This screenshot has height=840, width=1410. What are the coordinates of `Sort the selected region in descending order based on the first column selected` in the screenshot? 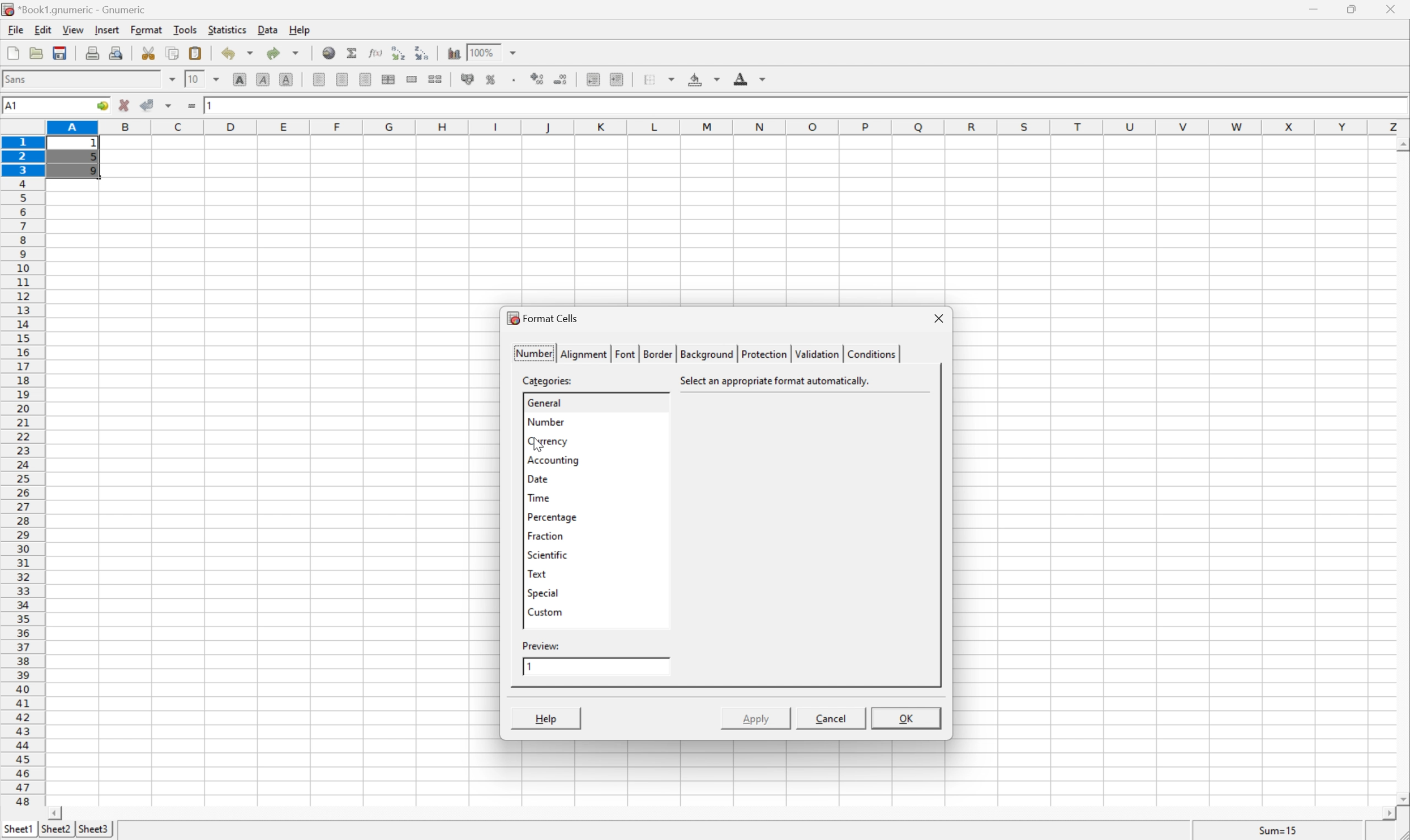 It's located at (422, 52).